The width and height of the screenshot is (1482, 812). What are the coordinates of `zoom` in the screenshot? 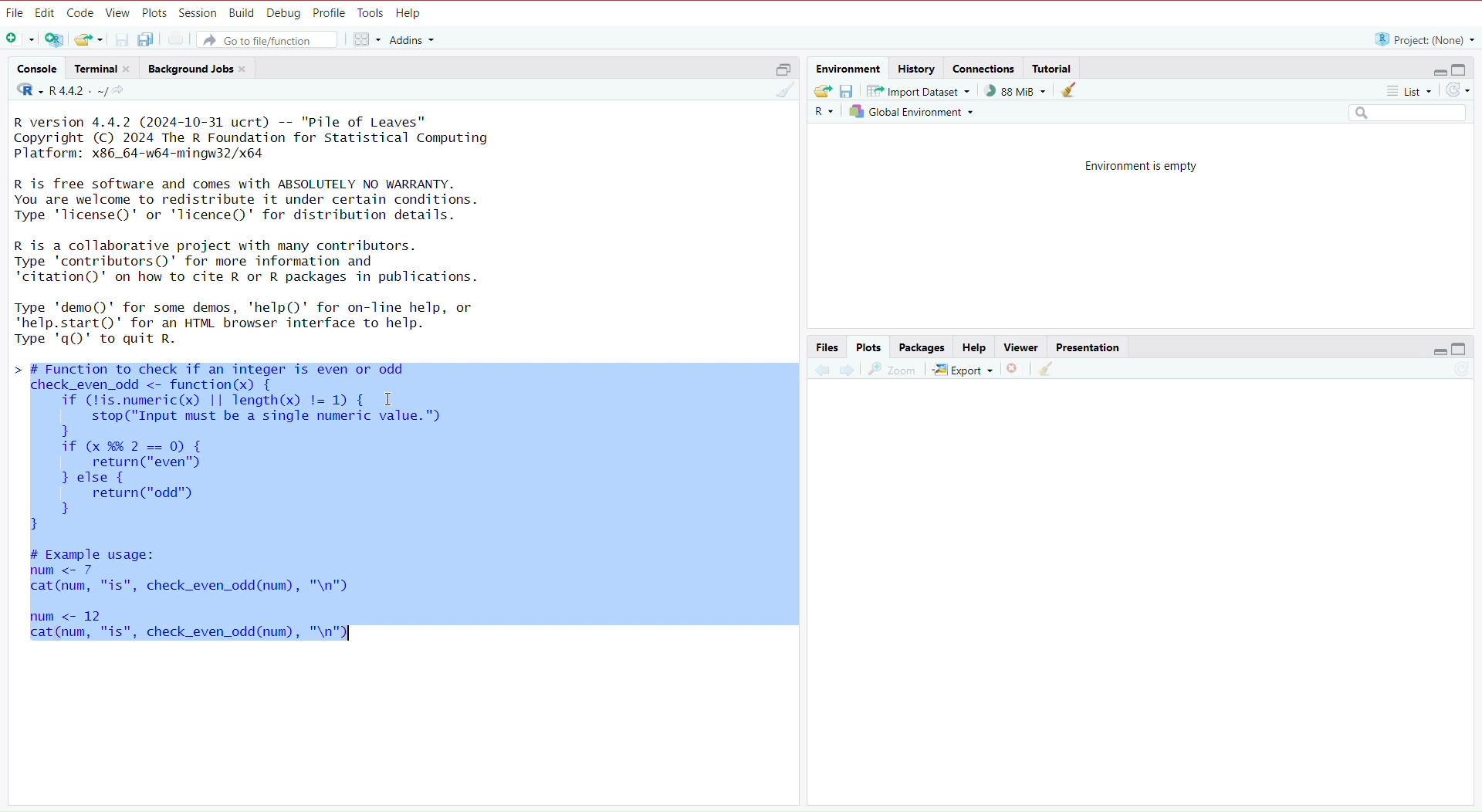 It's located at (893, 371).